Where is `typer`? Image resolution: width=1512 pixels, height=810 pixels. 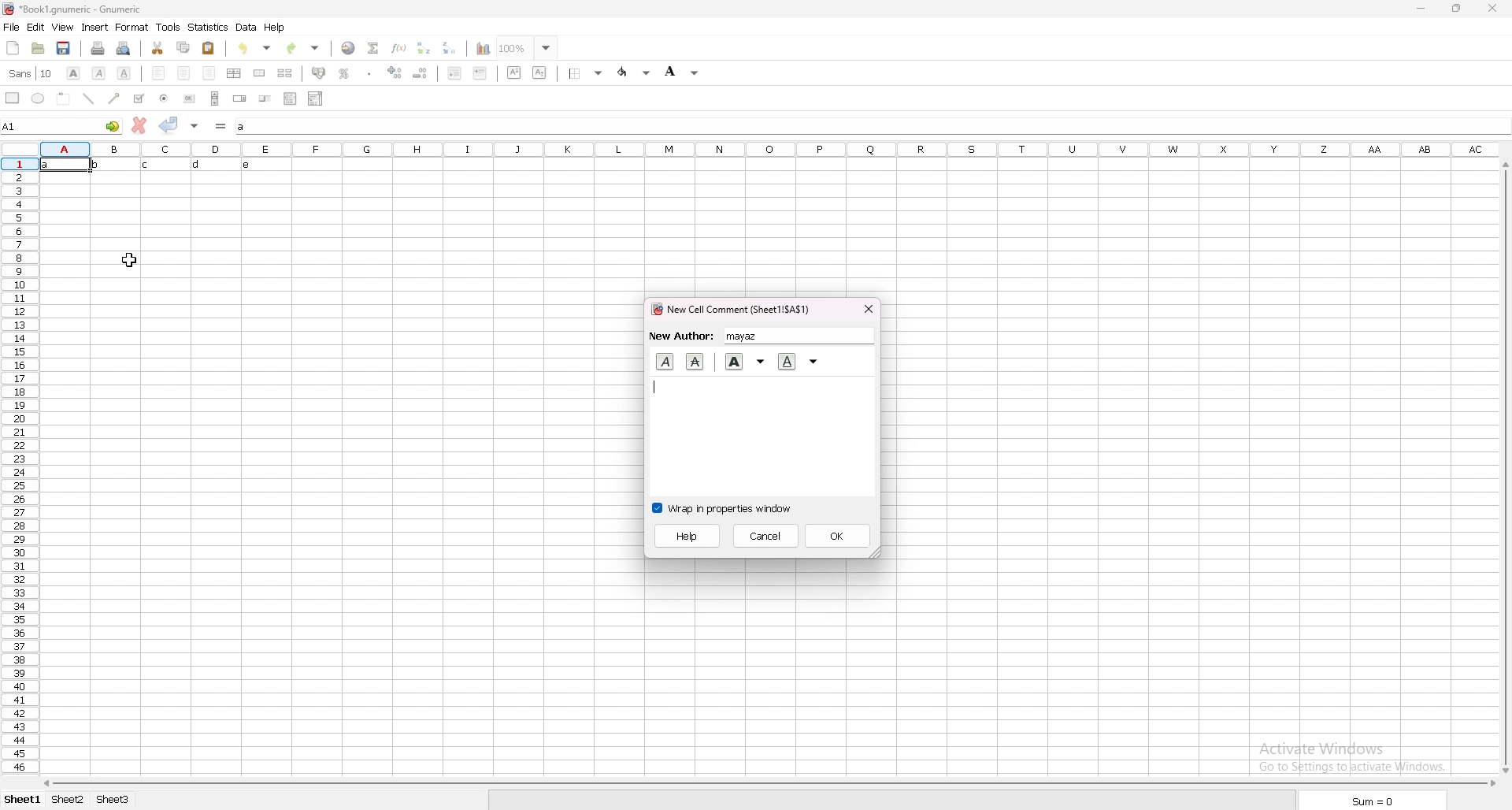
typer is located at coordinates (658, 387).